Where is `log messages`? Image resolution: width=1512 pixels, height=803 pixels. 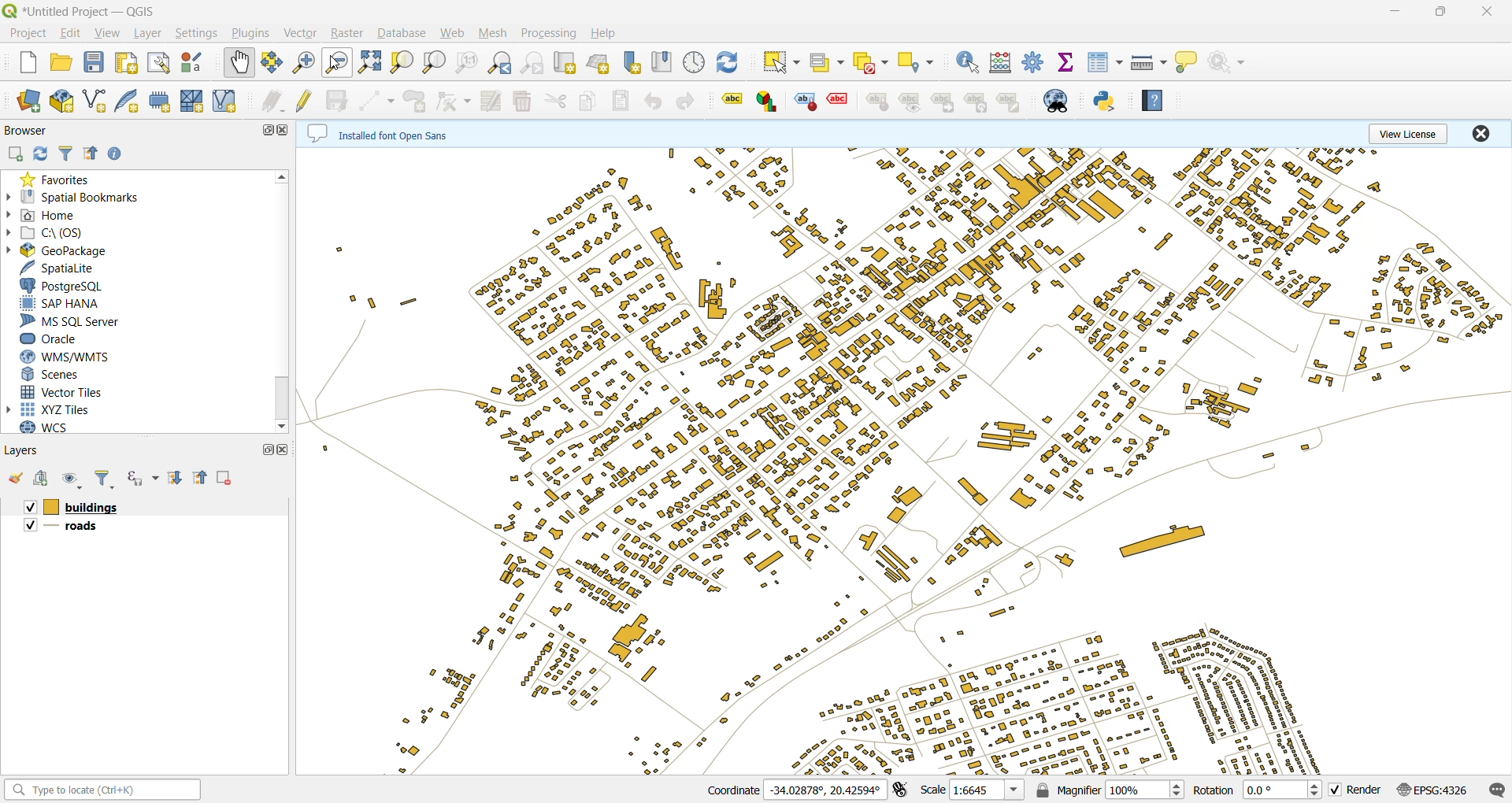
log messages is located at coordinates (1497, 790).